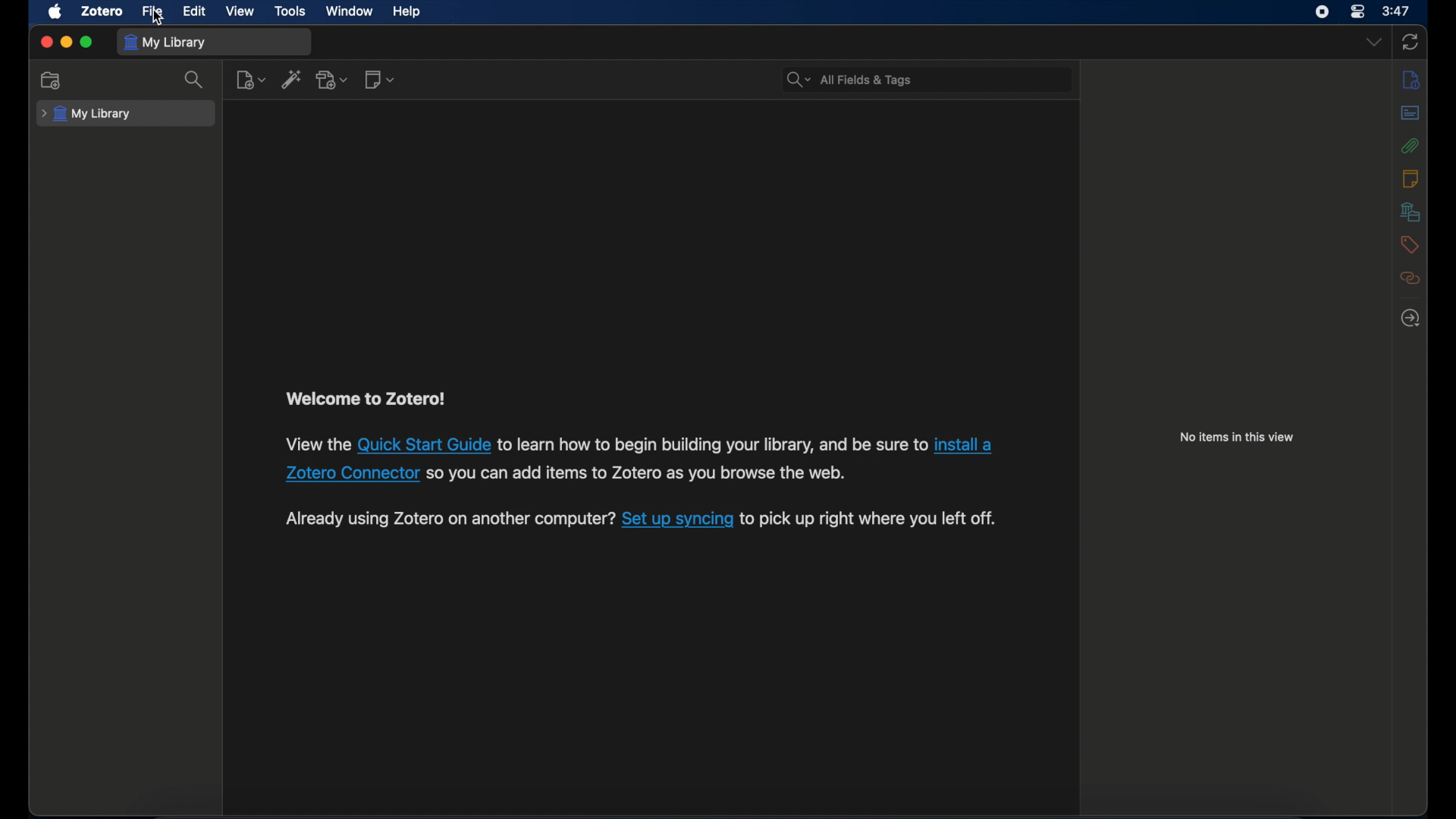 This screenshot has width=1456, height=819. Describe the element at coordinates (1411, 146) in the screenshot. I see `attachments` at that location.